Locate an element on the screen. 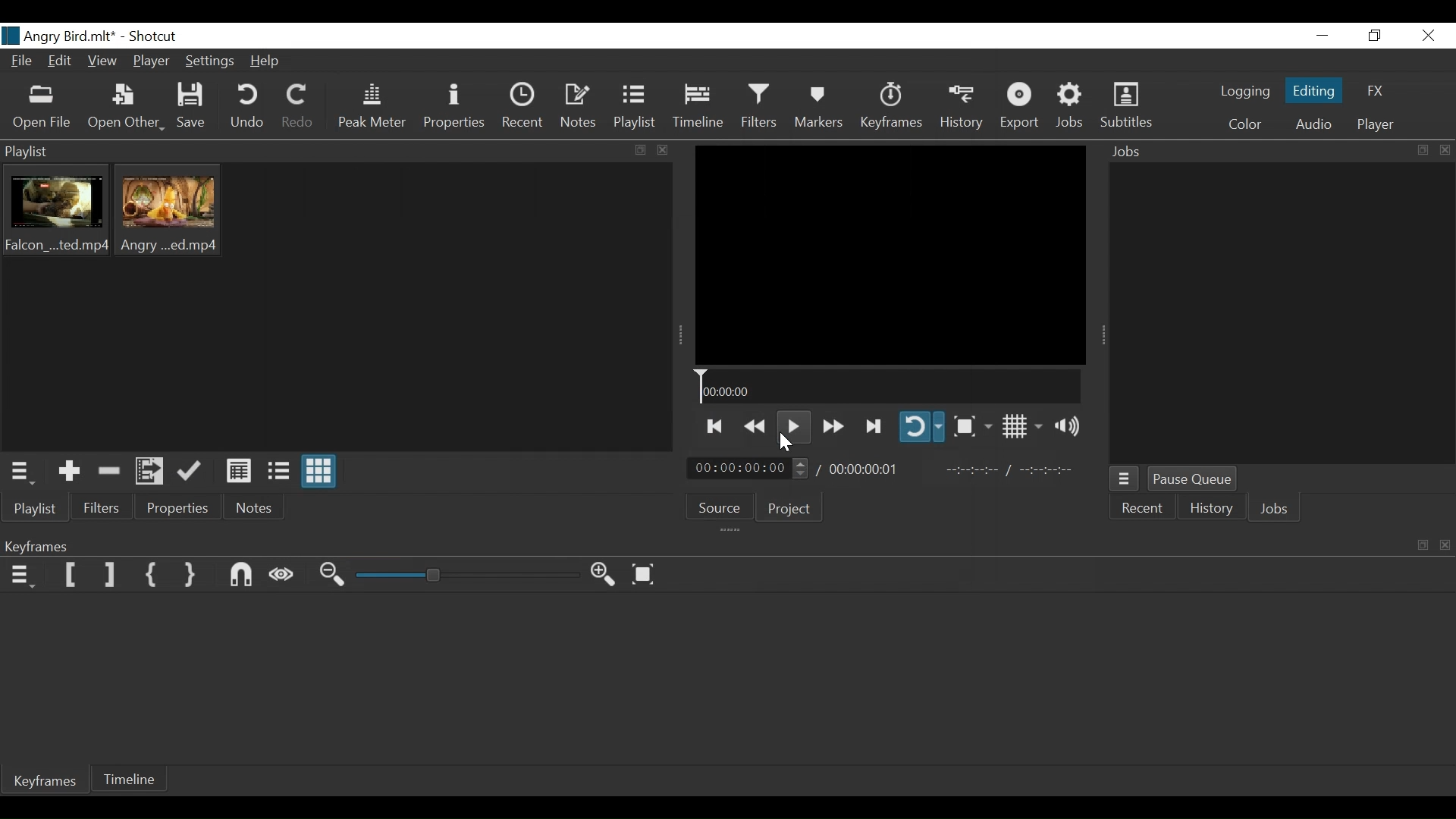 The image size is (1456, 819). Toggle play or pause (space) is located at coordinates (792, 425).